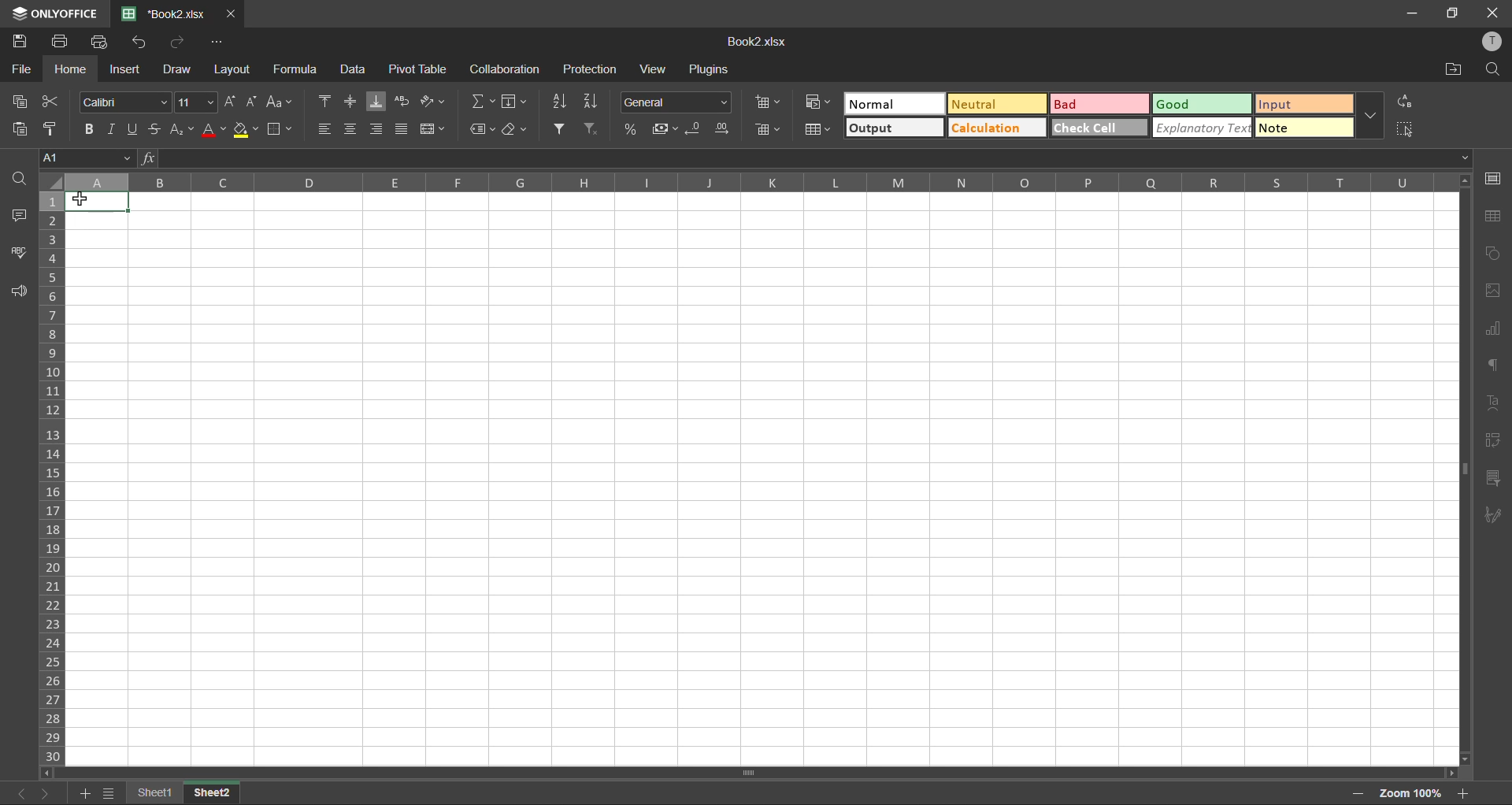  I want to click on zoom out, so click(1354, 796).